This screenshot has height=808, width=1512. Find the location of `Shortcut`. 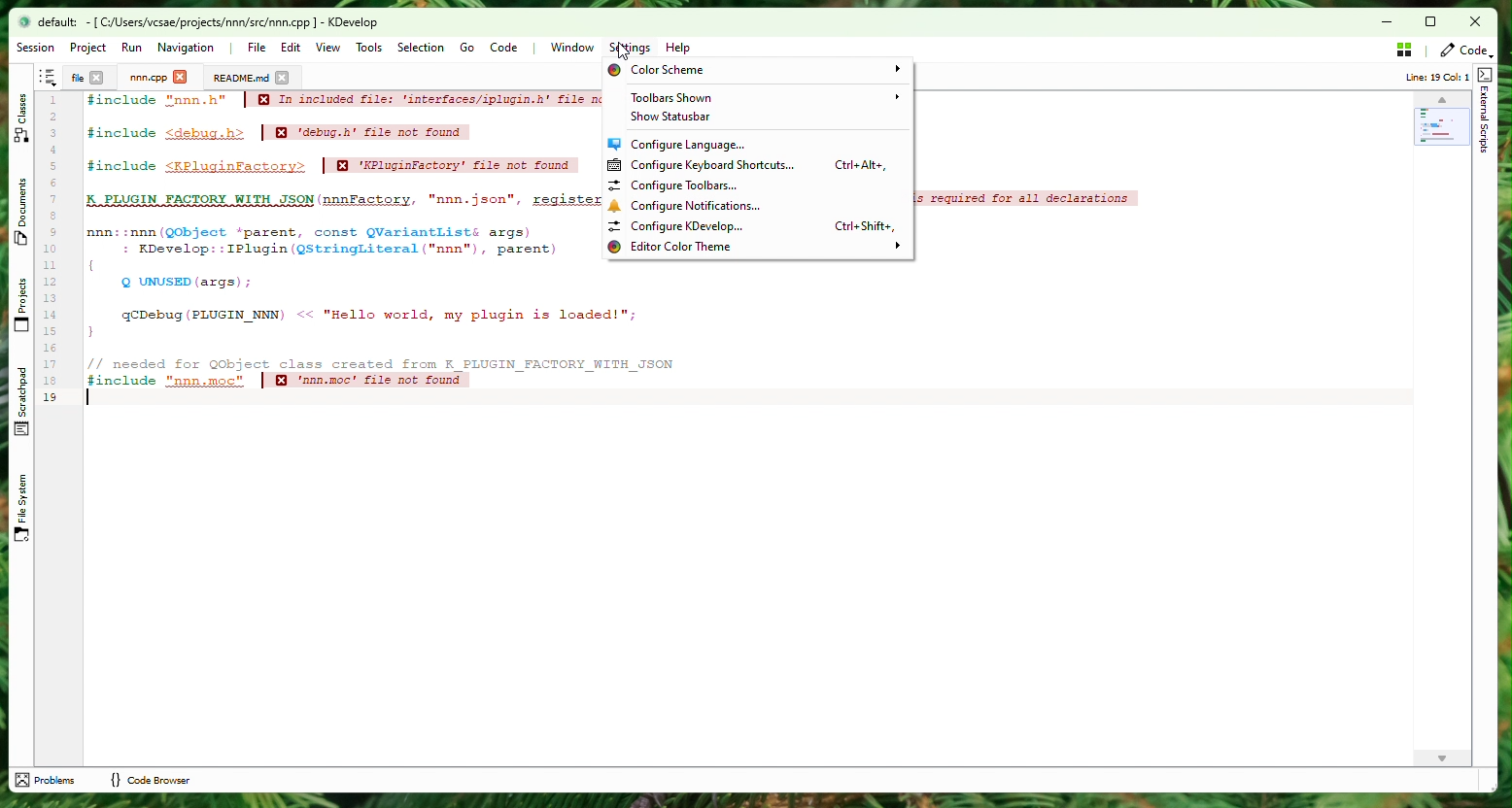

Shortcut is located at coordinates (51, 76).